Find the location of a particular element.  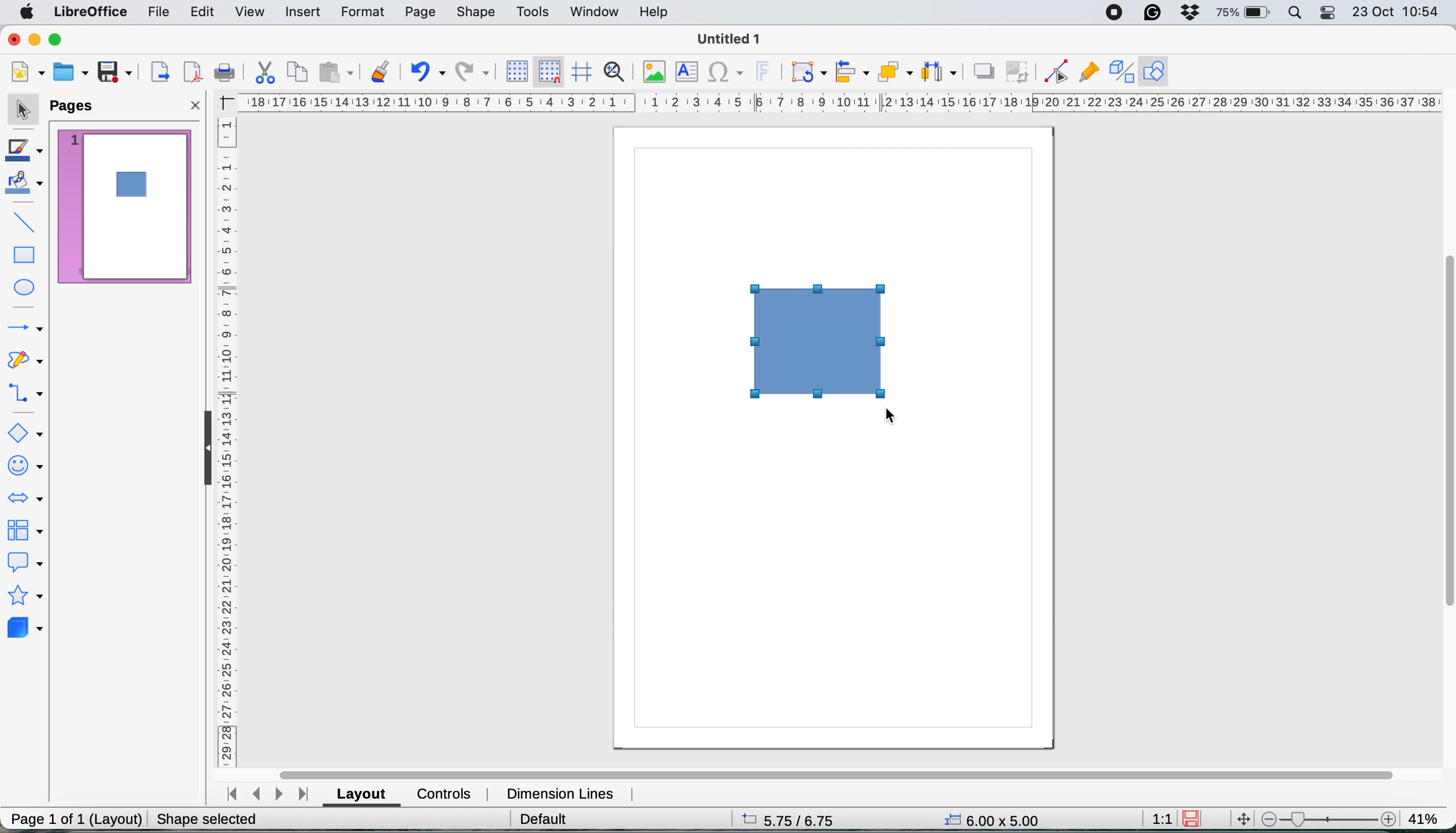

export is located at coordinates (161, 70).